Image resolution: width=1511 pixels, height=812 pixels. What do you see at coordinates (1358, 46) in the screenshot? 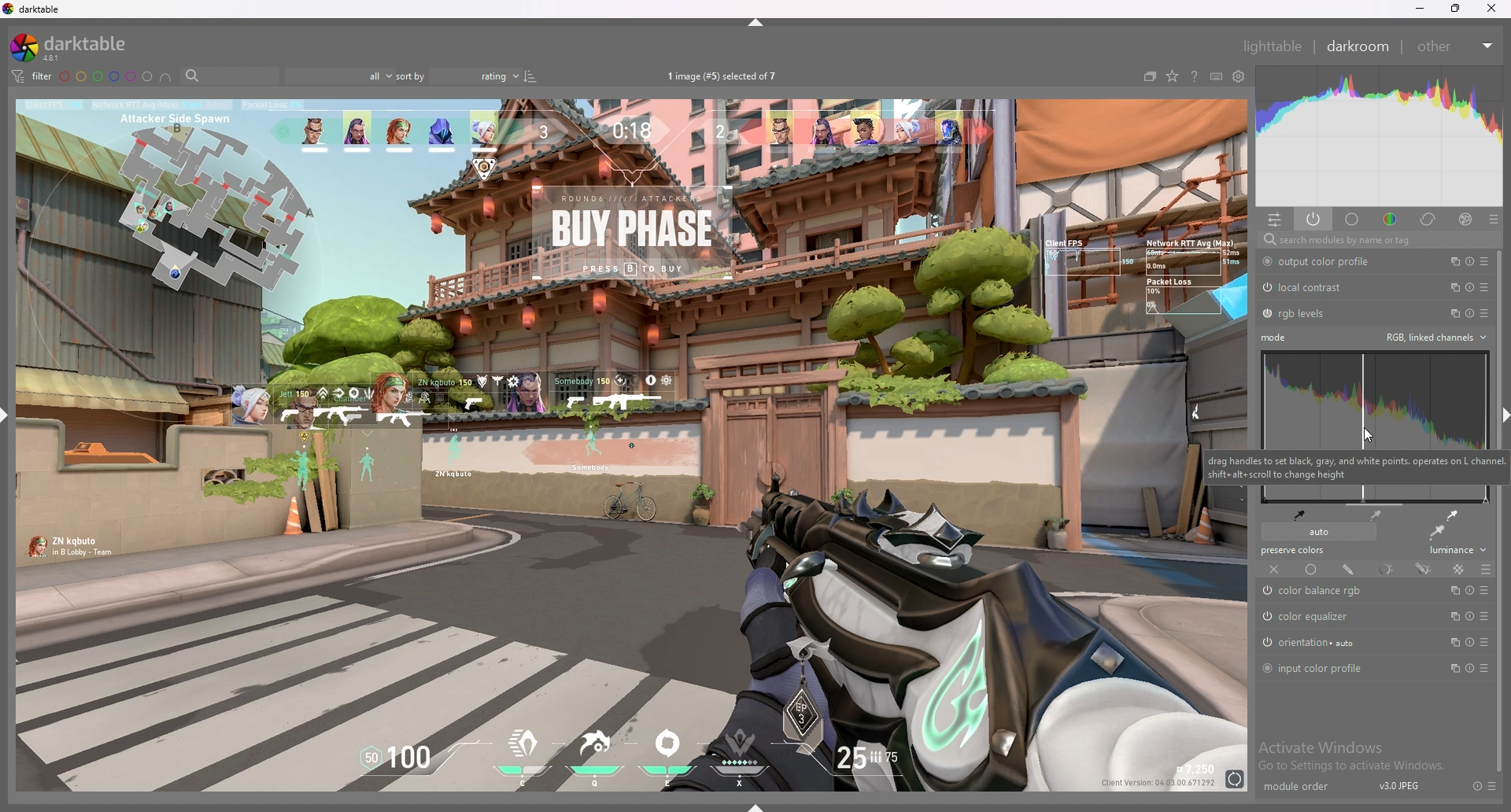
I see `darkroom` at bounding box center [1358, 46].